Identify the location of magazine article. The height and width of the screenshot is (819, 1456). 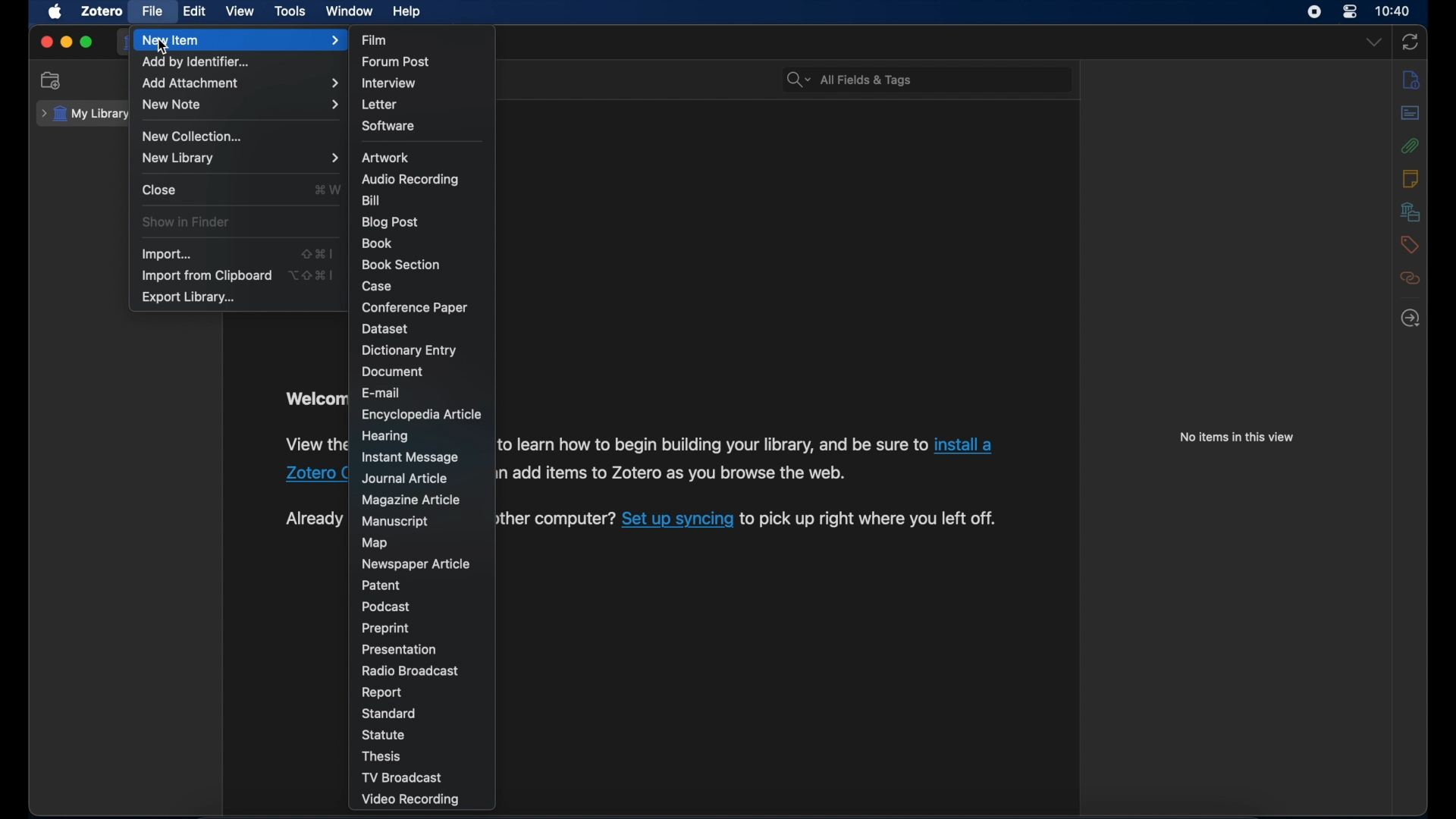
(413, 500).